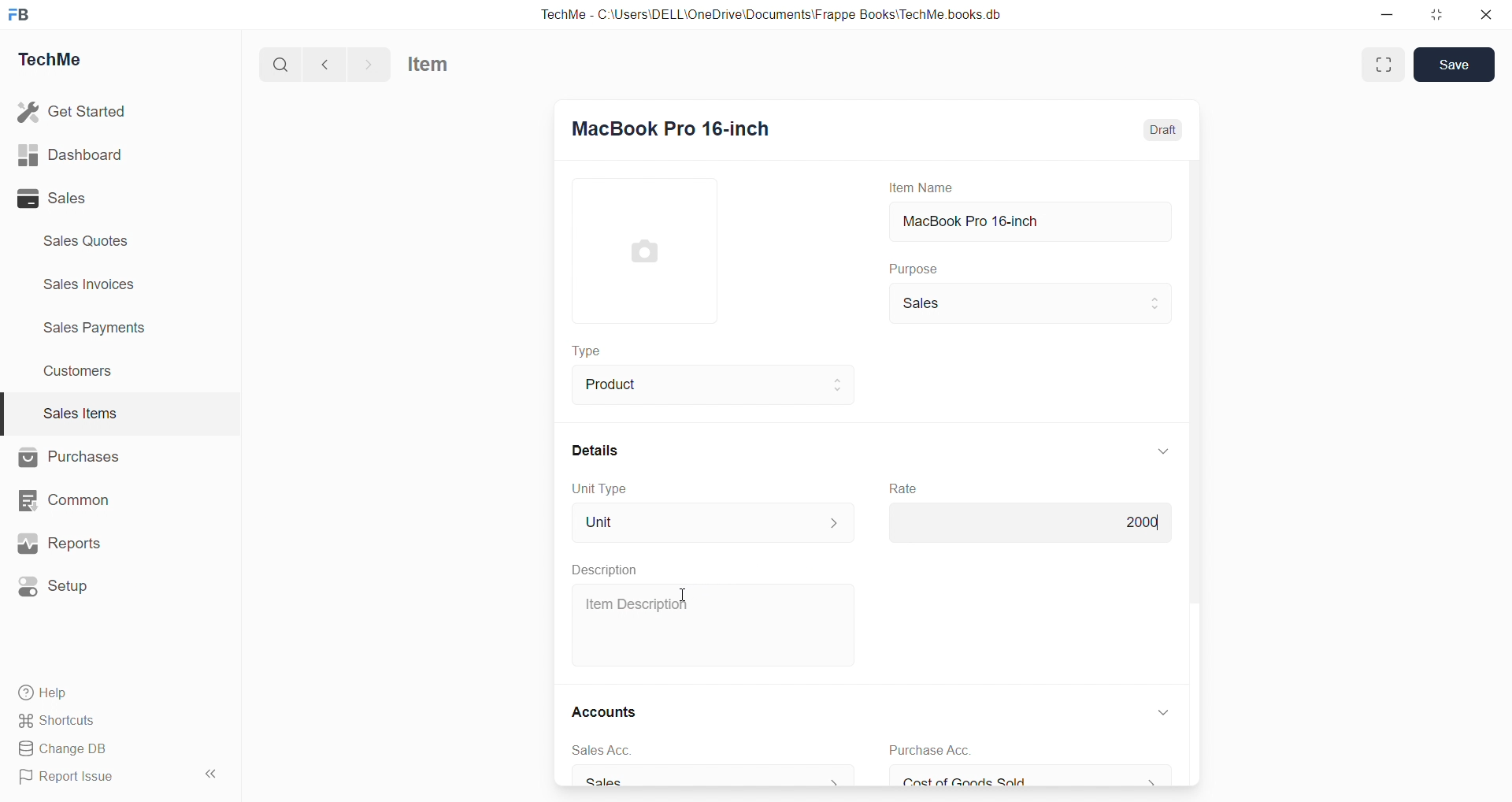  I want to click on MacBook Pro 16-inch, so click(671, 125).